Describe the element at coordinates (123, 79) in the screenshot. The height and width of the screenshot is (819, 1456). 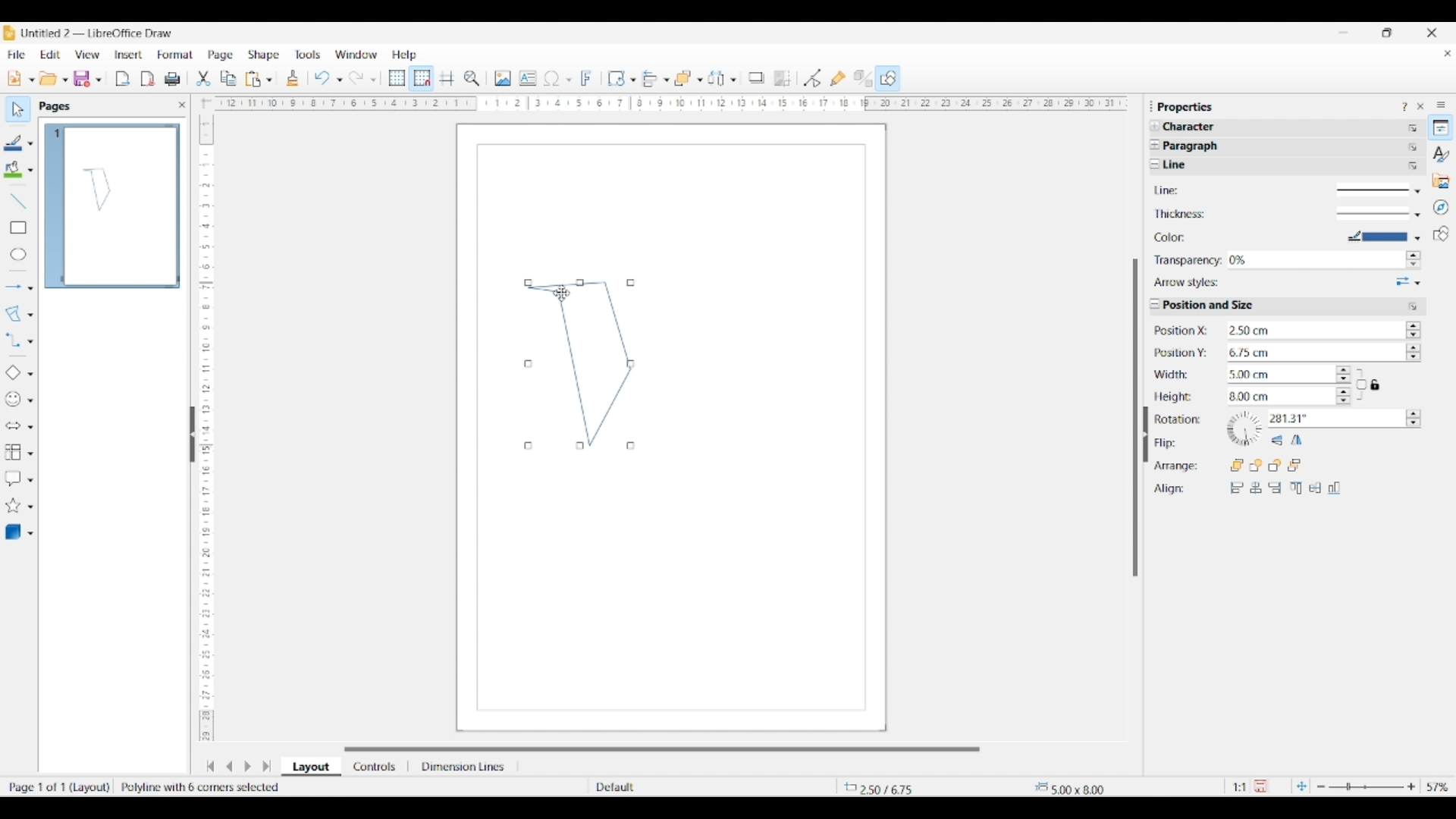
I see `Export` at that location.